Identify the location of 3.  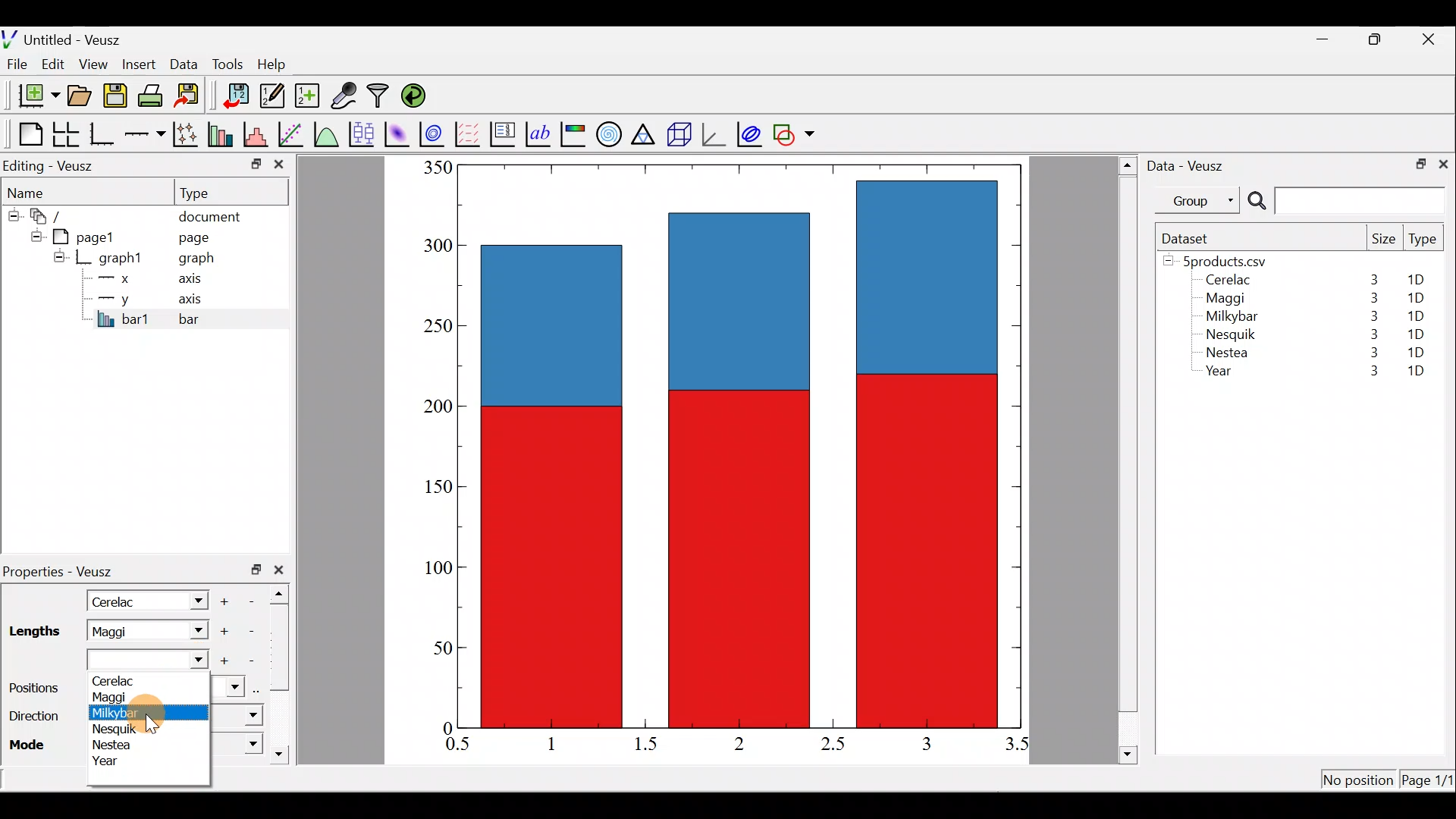
(1371, 334).